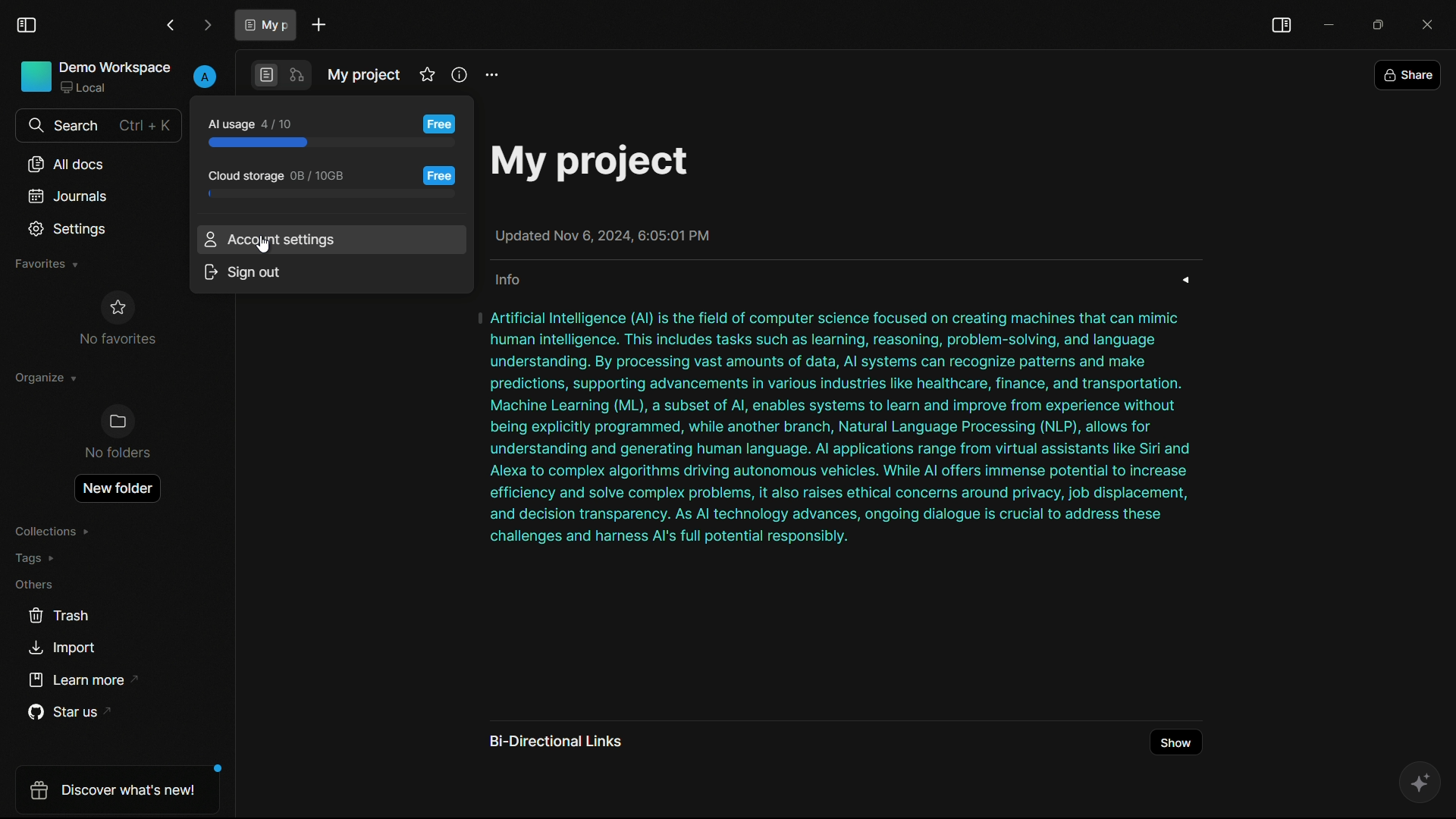  What do you see at coordinates (248, 125) in the screenshot?
I see `ai usage 4/10` at bounding box center [248, 125].